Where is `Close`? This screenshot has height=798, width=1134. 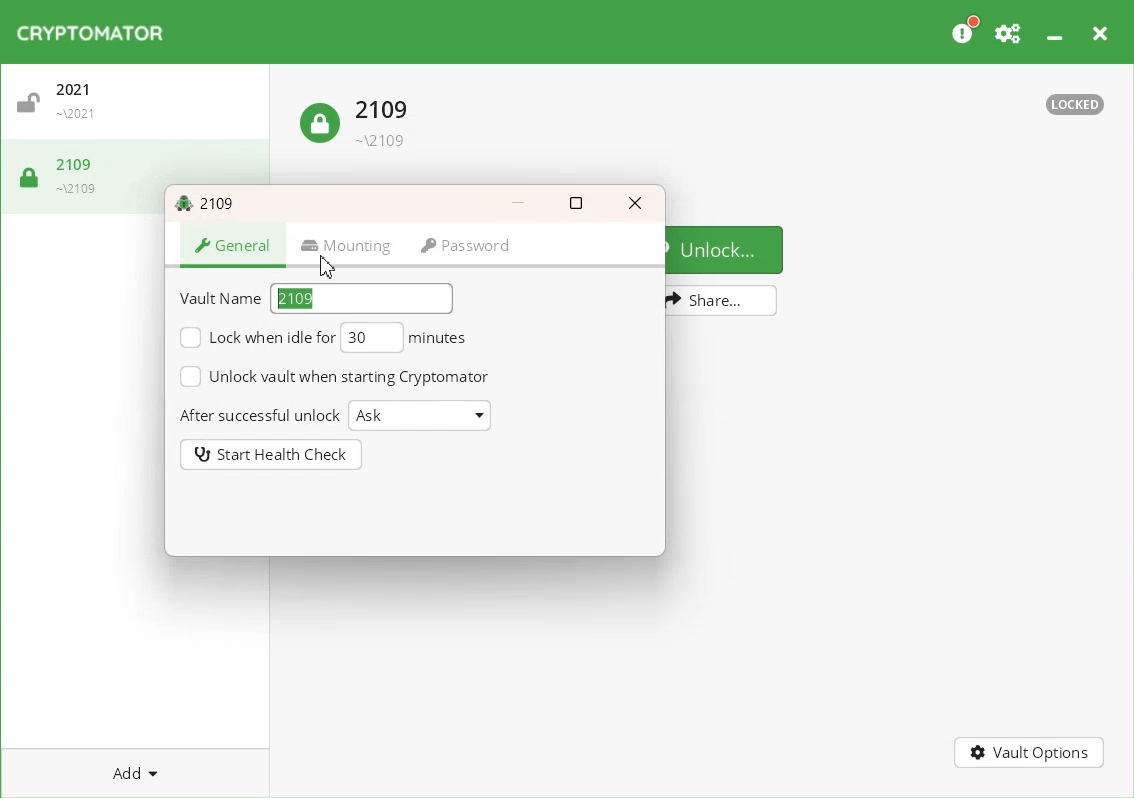
Close is located at coordinates (1102, 32).